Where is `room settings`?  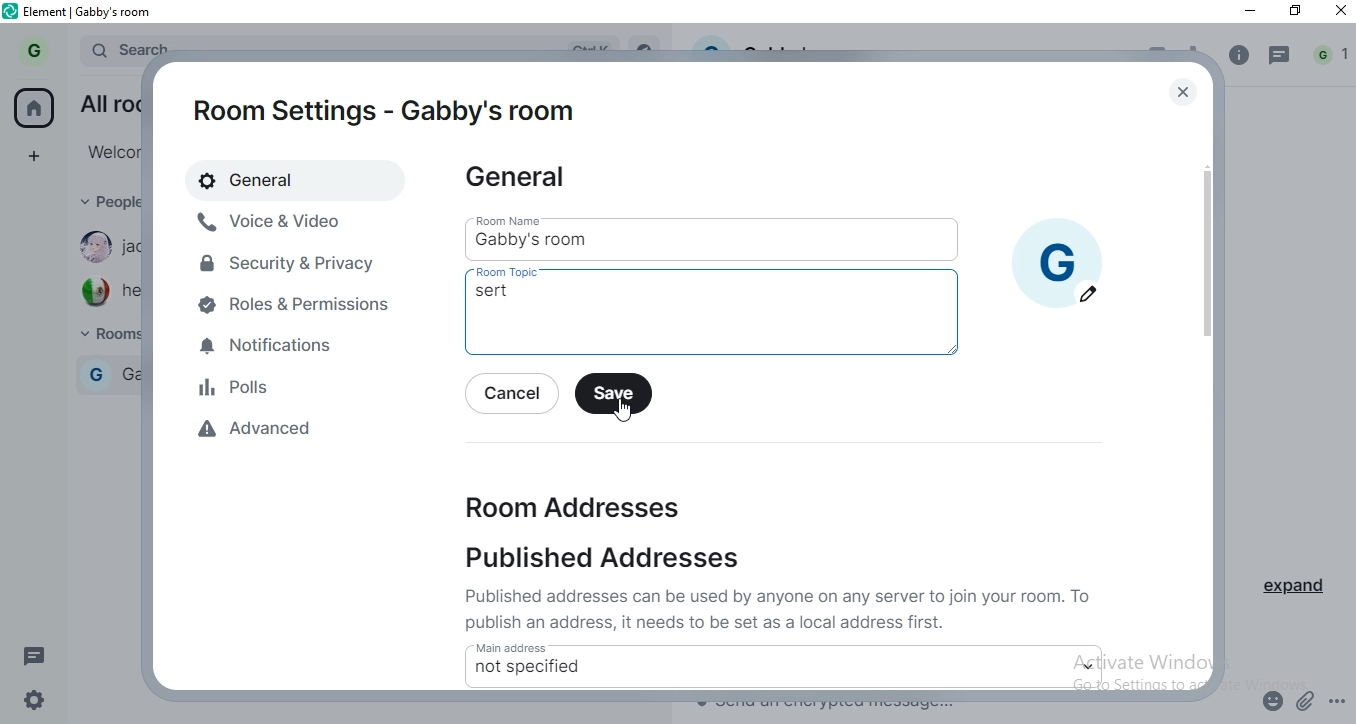 room settings is located at coordinates (386, 109).